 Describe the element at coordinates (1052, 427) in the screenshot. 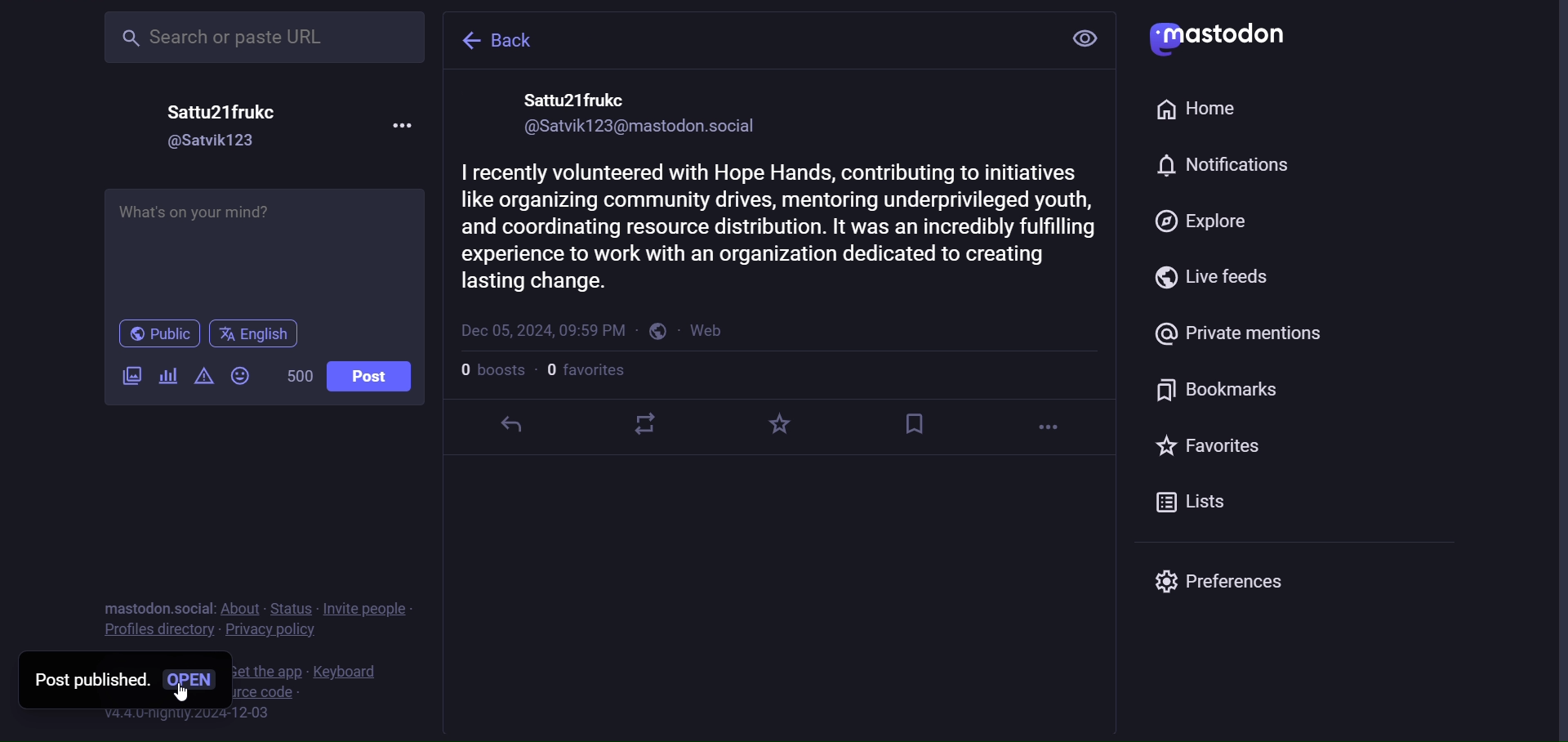

I see `more` at that location.